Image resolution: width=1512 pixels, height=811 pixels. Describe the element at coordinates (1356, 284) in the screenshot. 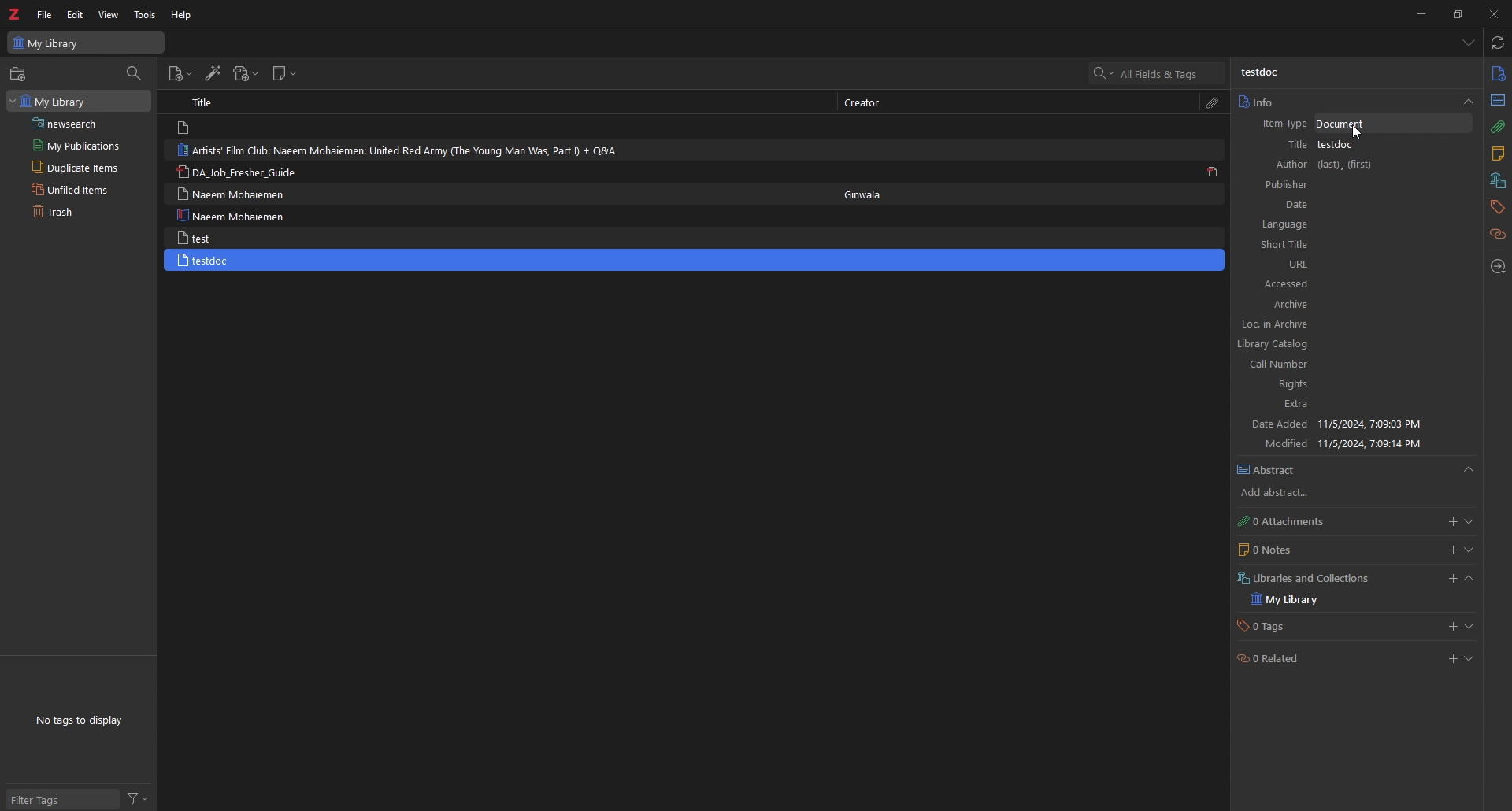

I see `Accessed` at that location.